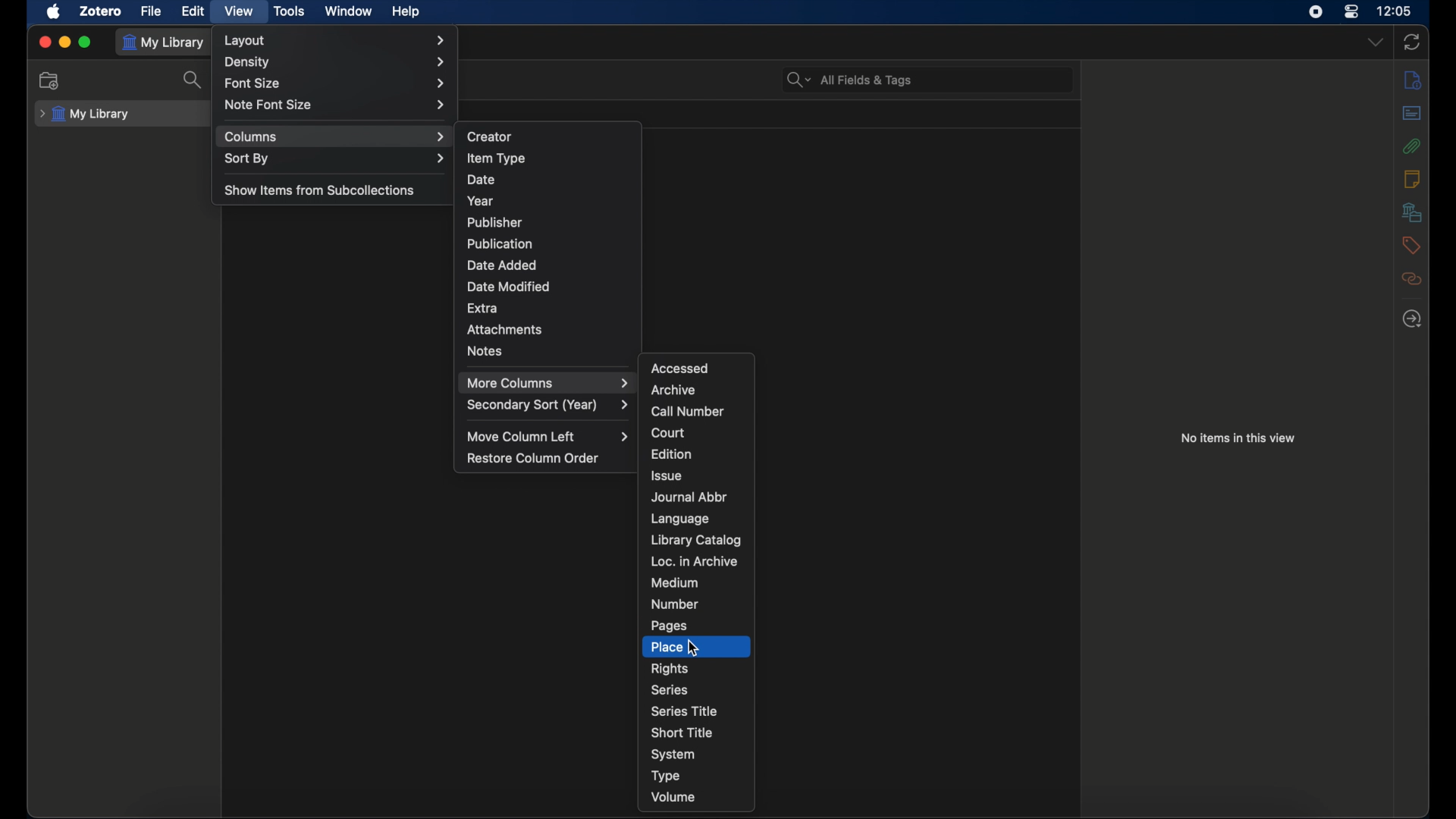 This screenshot has width=1456, height=819. Describe the element at coordinates (1412, 80) in the screenshot. I see `info` at that location.